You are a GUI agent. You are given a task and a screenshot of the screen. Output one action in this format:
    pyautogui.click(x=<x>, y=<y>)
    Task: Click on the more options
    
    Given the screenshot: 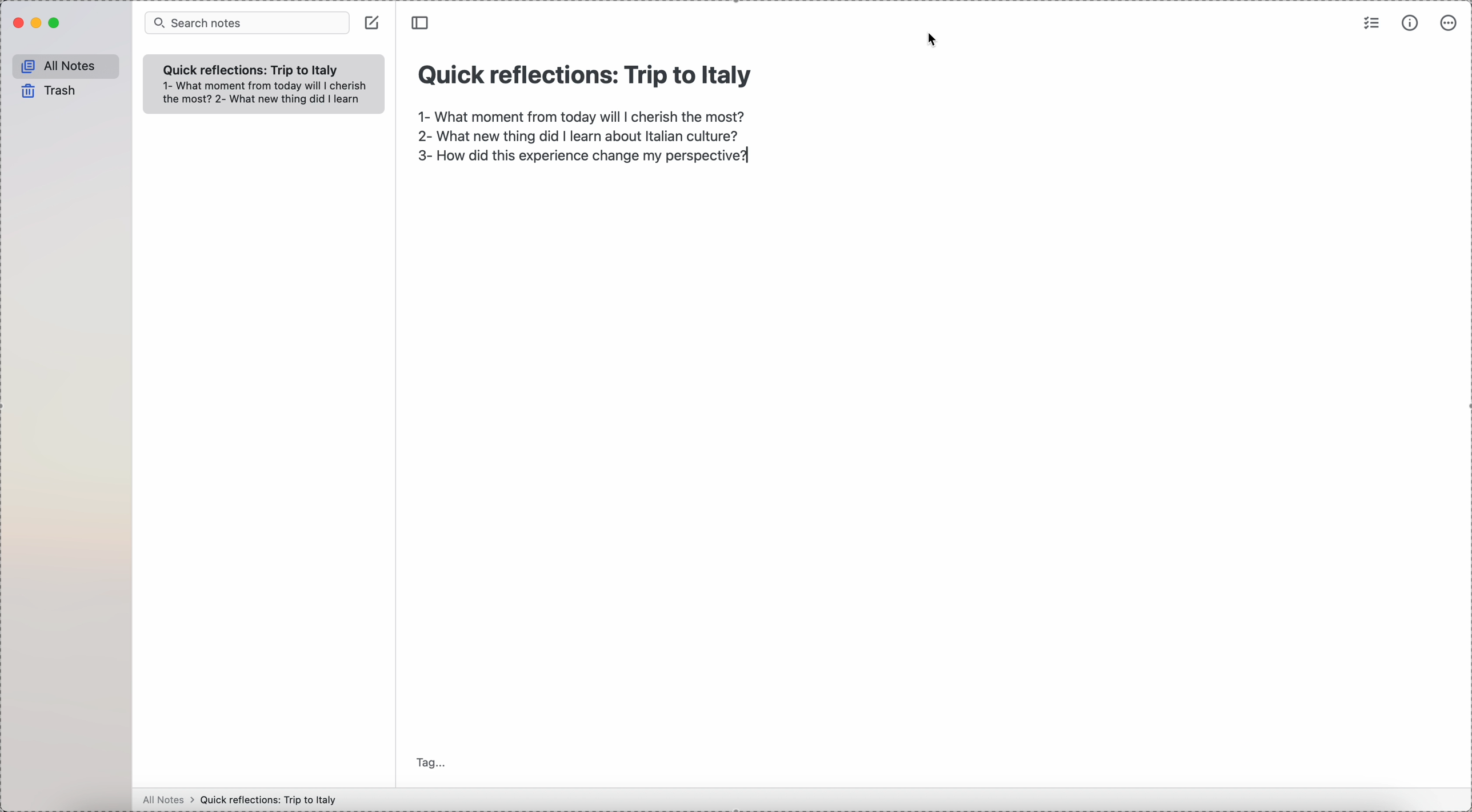 What is the action you would take?
    pyautogui.click(x=1449, y=25)
    